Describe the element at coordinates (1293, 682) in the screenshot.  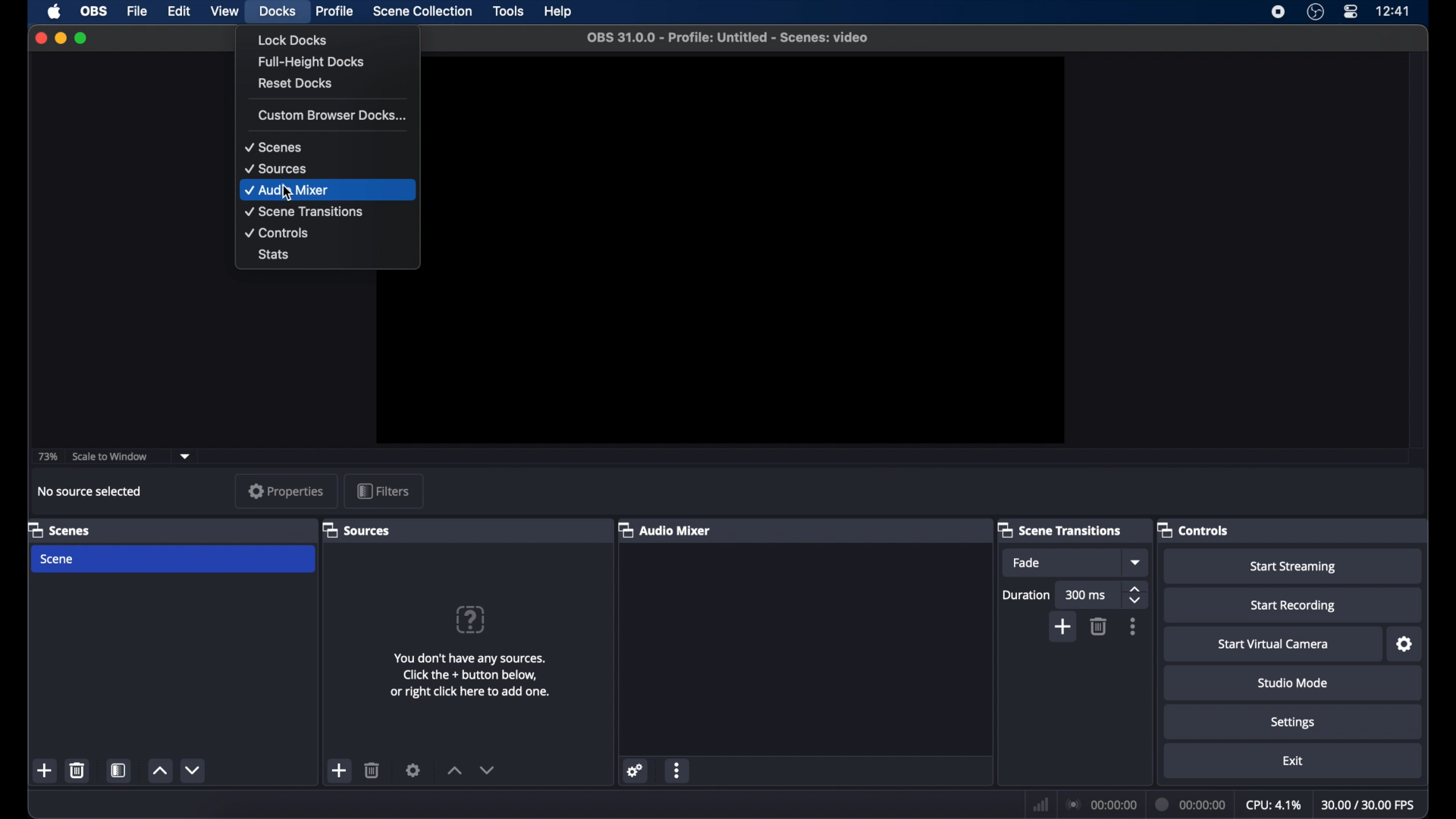
I see `studio mode` at that location.